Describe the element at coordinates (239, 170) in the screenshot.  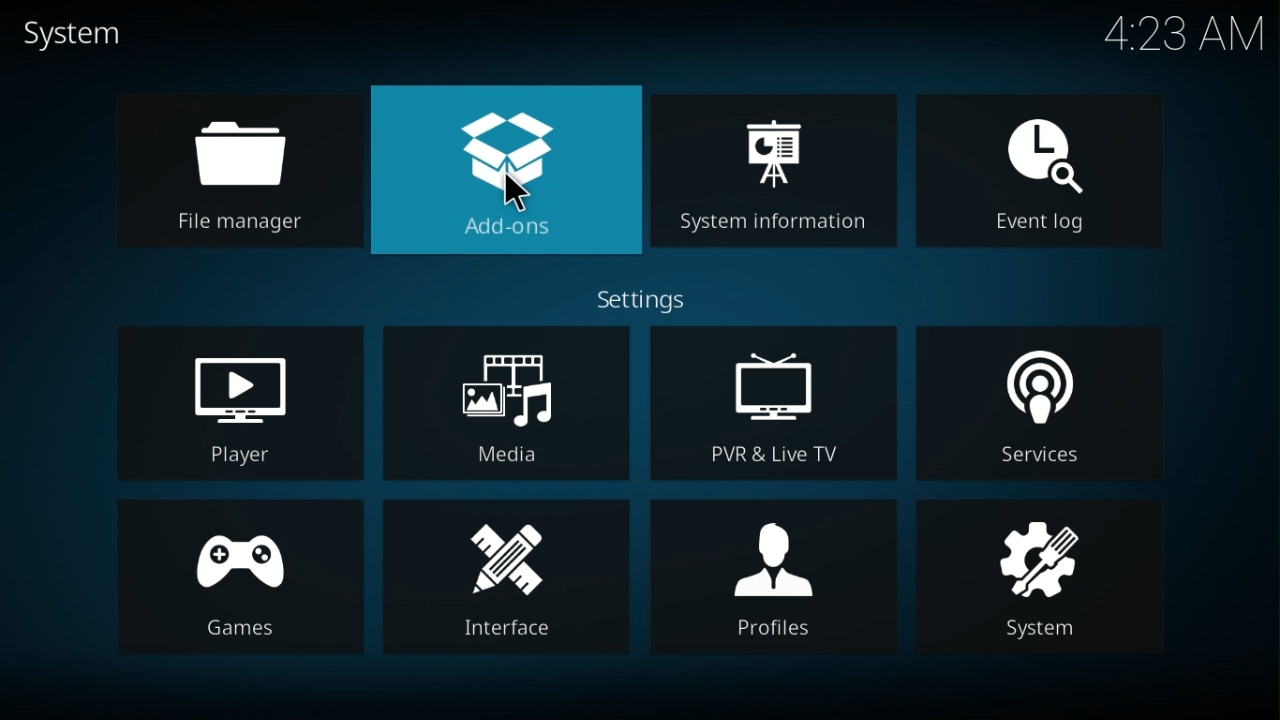
I see `File manager` at that location.